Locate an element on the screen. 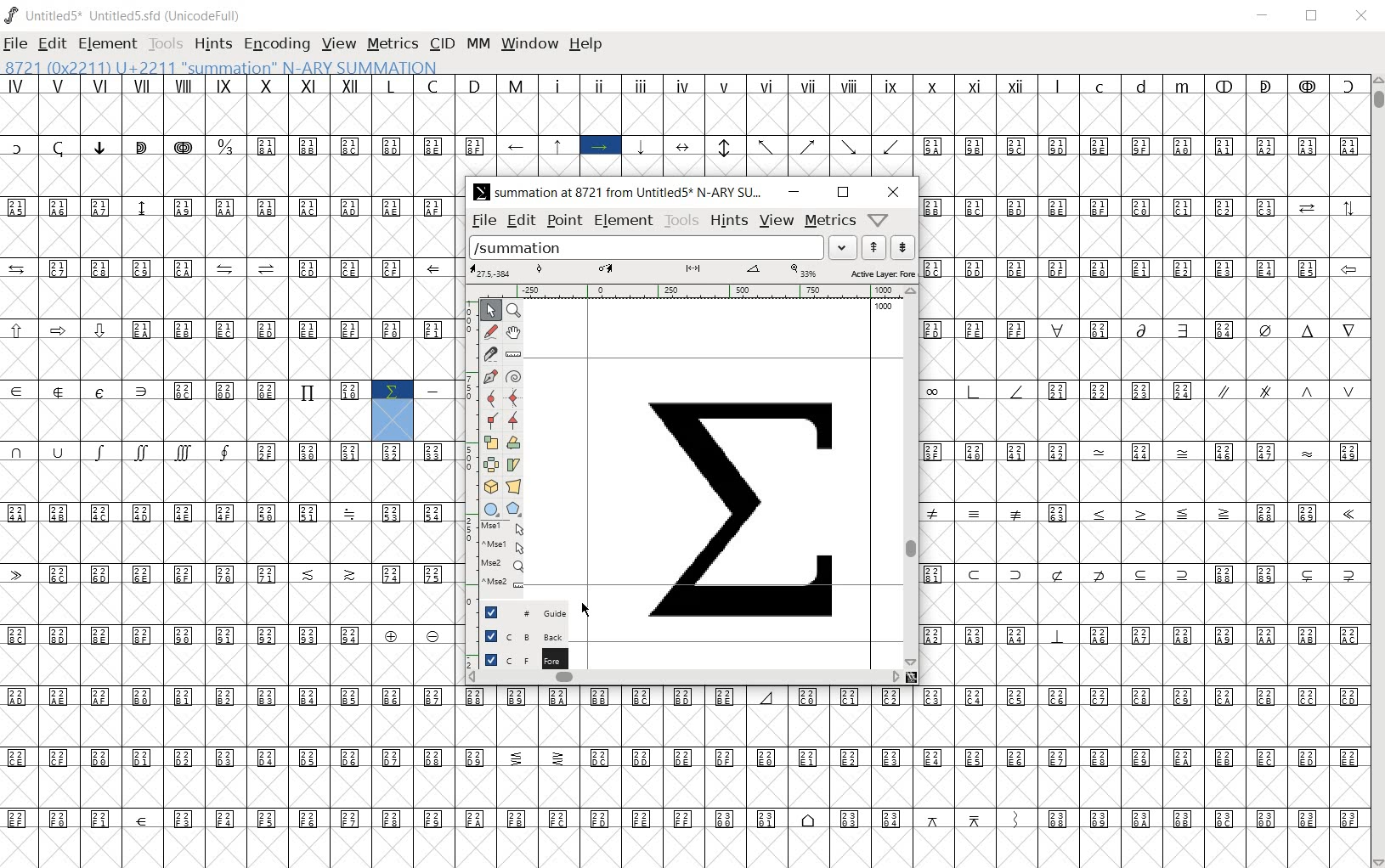 Image resolution: width=1385 pixels, height=868 pixels. perform a perspective transformation on the selection is located at coordinates (515, 488).